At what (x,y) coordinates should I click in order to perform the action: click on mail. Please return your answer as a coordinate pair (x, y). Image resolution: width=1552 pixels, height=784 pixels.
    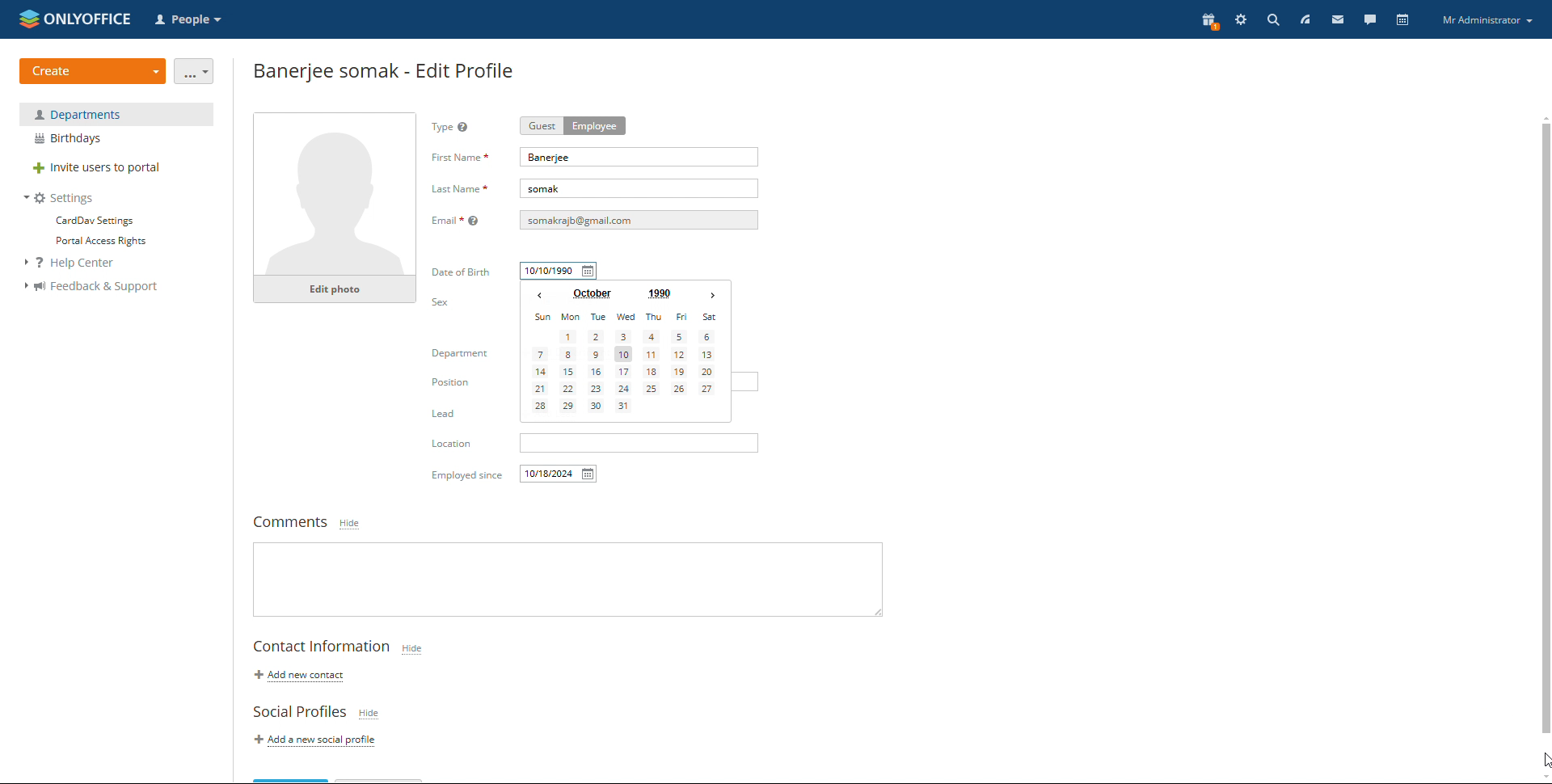
    Looking at the image, I should click on (1336, 19).